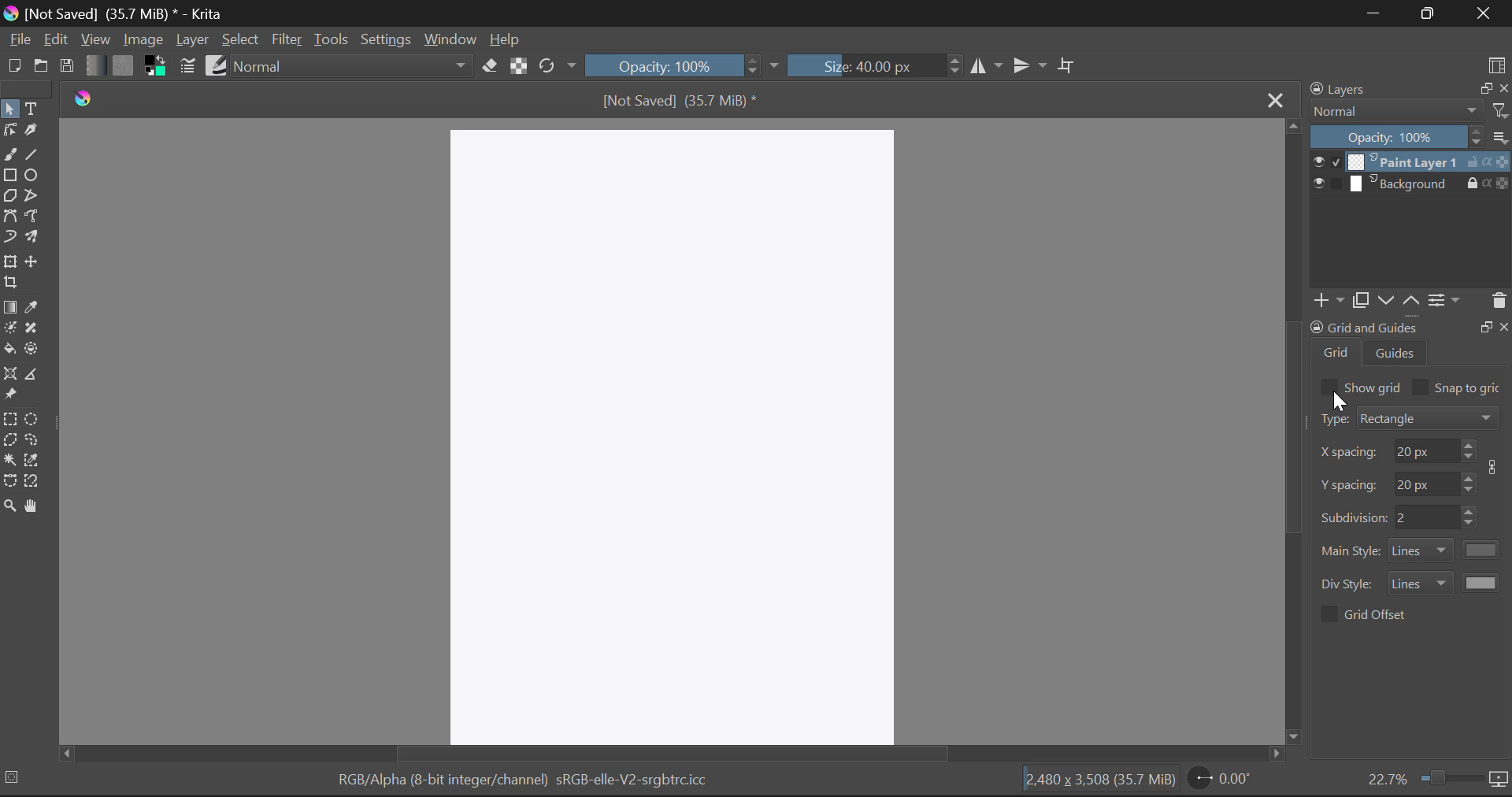 This screenshot has width=1512, height=797. What do you see at coordinates (1033, 66) in the screenshot?
I see `Horizontal Mirror Flip` at bounding box center [1033, 66].